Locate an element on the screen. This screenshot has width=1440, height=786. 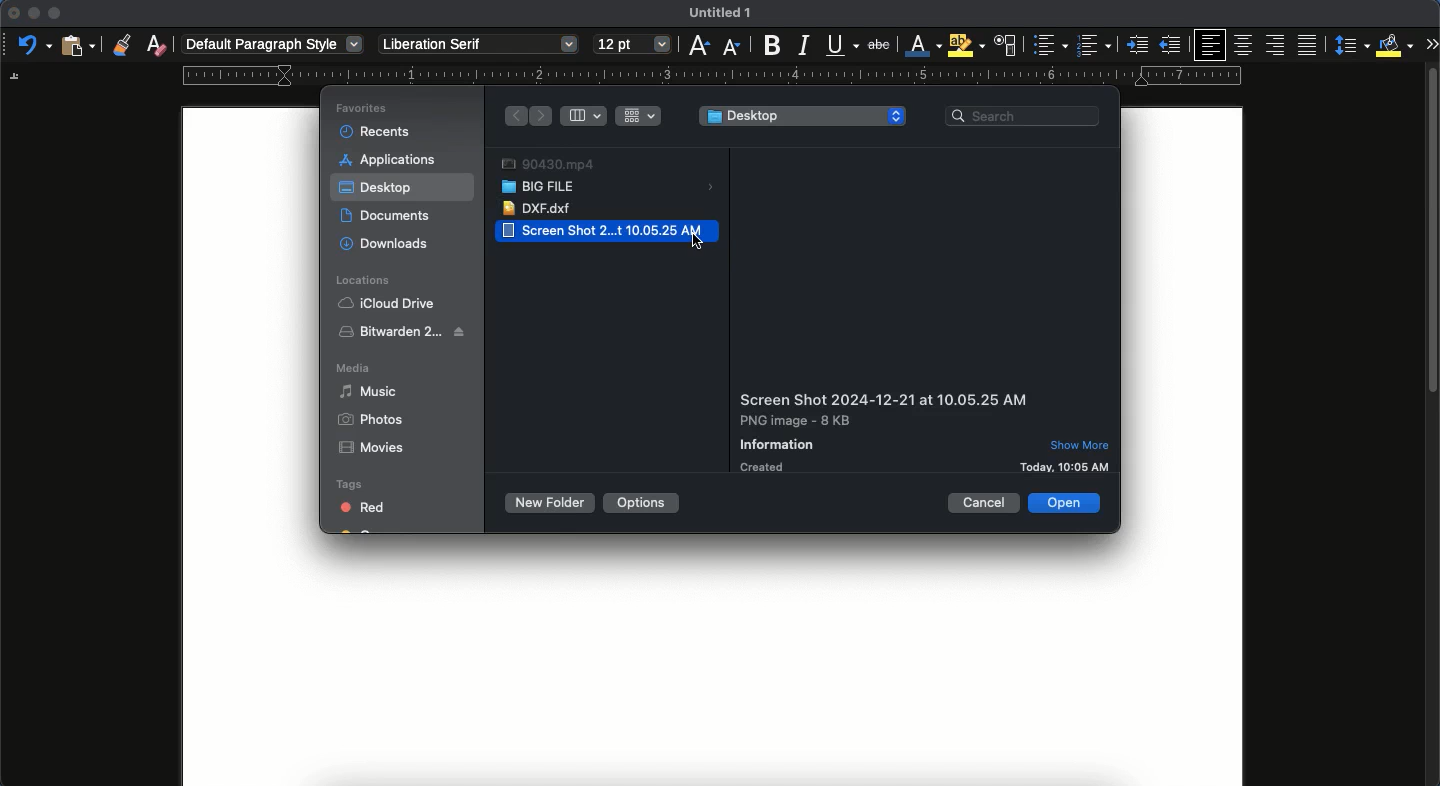
desktop is located at coordinates (803, 116).